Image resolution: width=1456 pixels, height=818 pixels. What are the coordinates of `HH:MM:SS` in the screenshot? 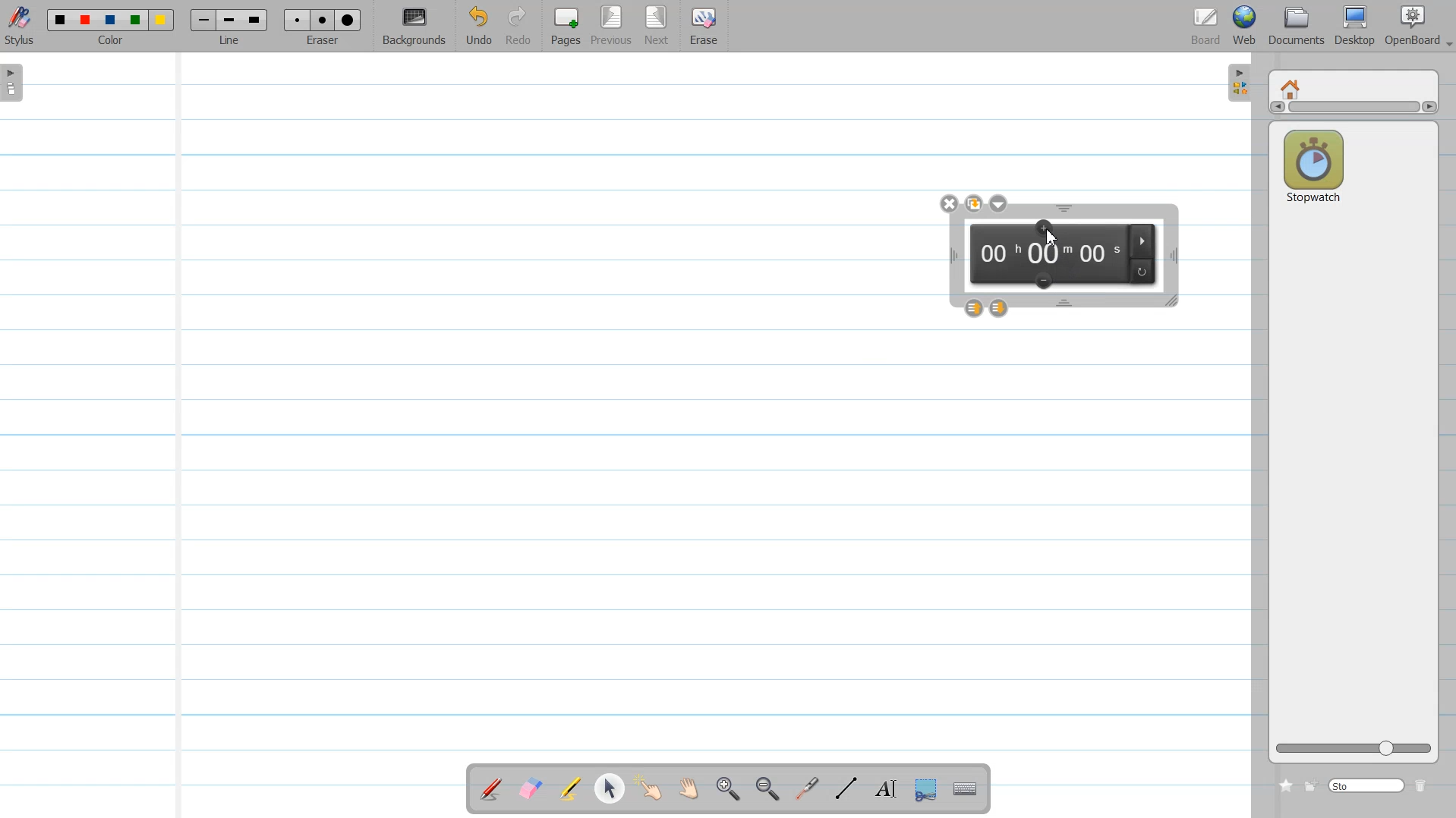 It's located at (1049, 254).